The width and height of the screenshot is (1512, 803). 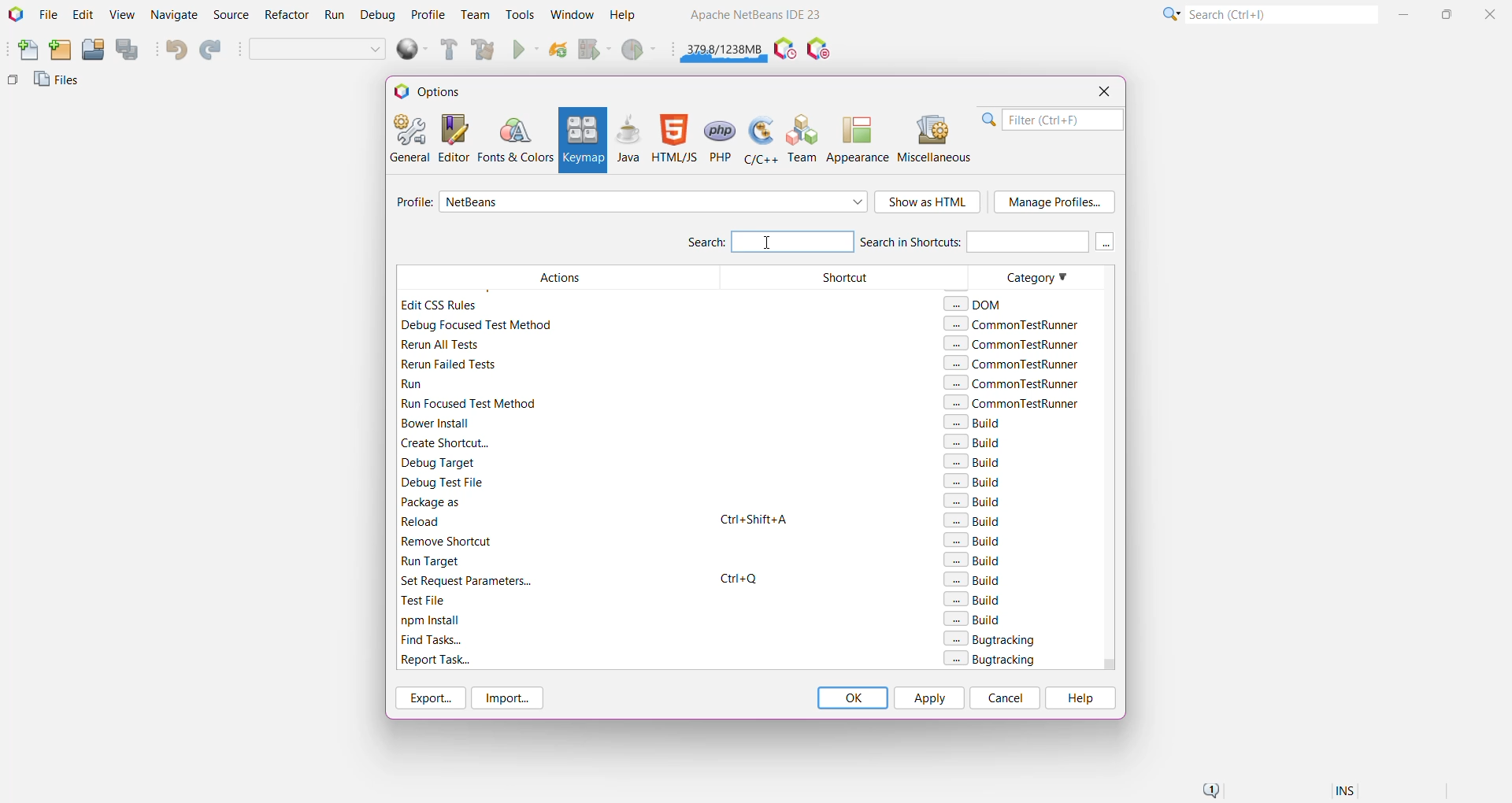 What do you see at coordinates (450, 138) in the screenshot?
I see `Editor` at bounding box center [450, 138].